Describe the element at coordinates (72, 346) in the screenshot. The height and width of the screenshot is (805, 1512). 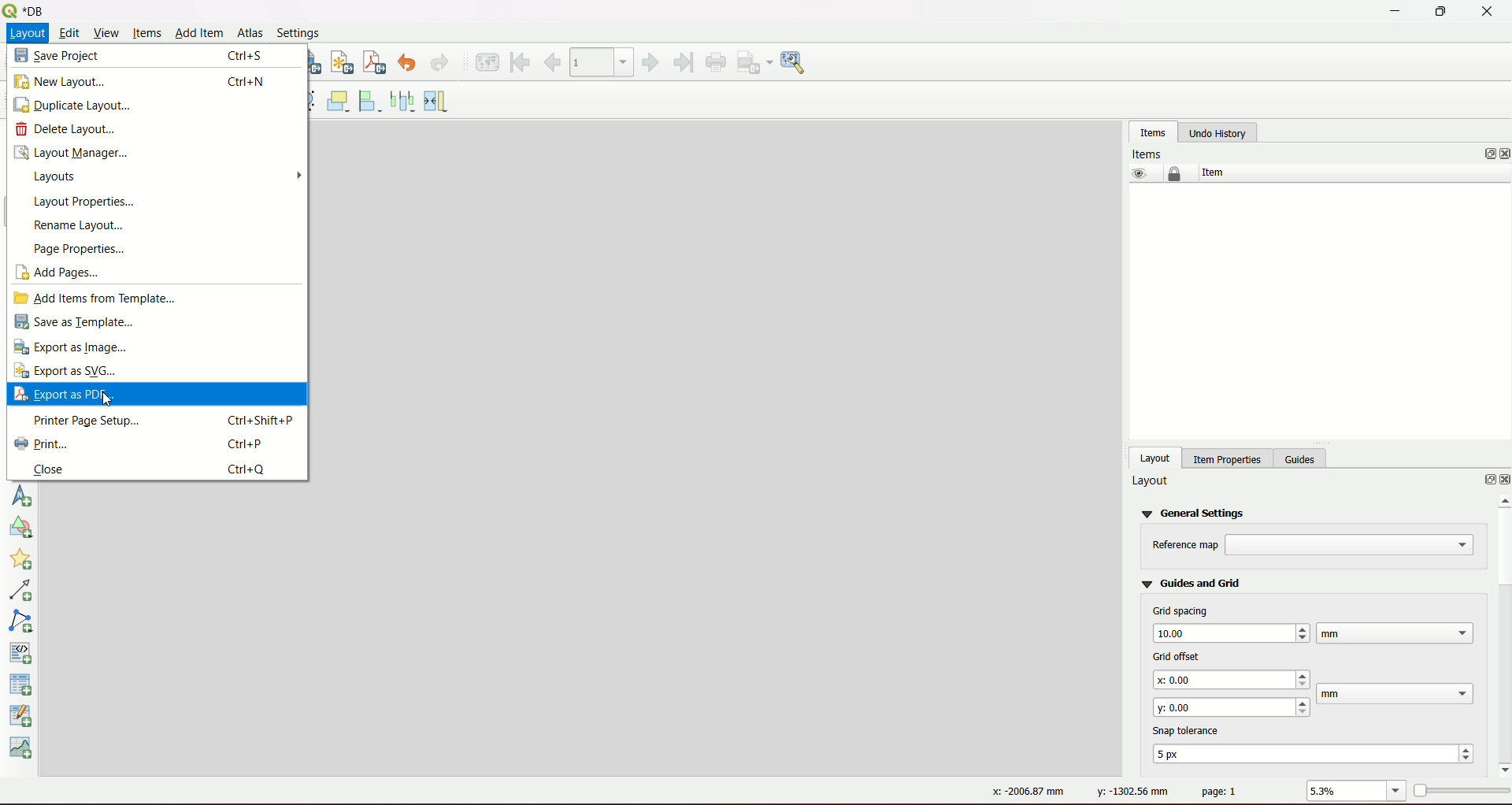
I see `export as image` at that location.